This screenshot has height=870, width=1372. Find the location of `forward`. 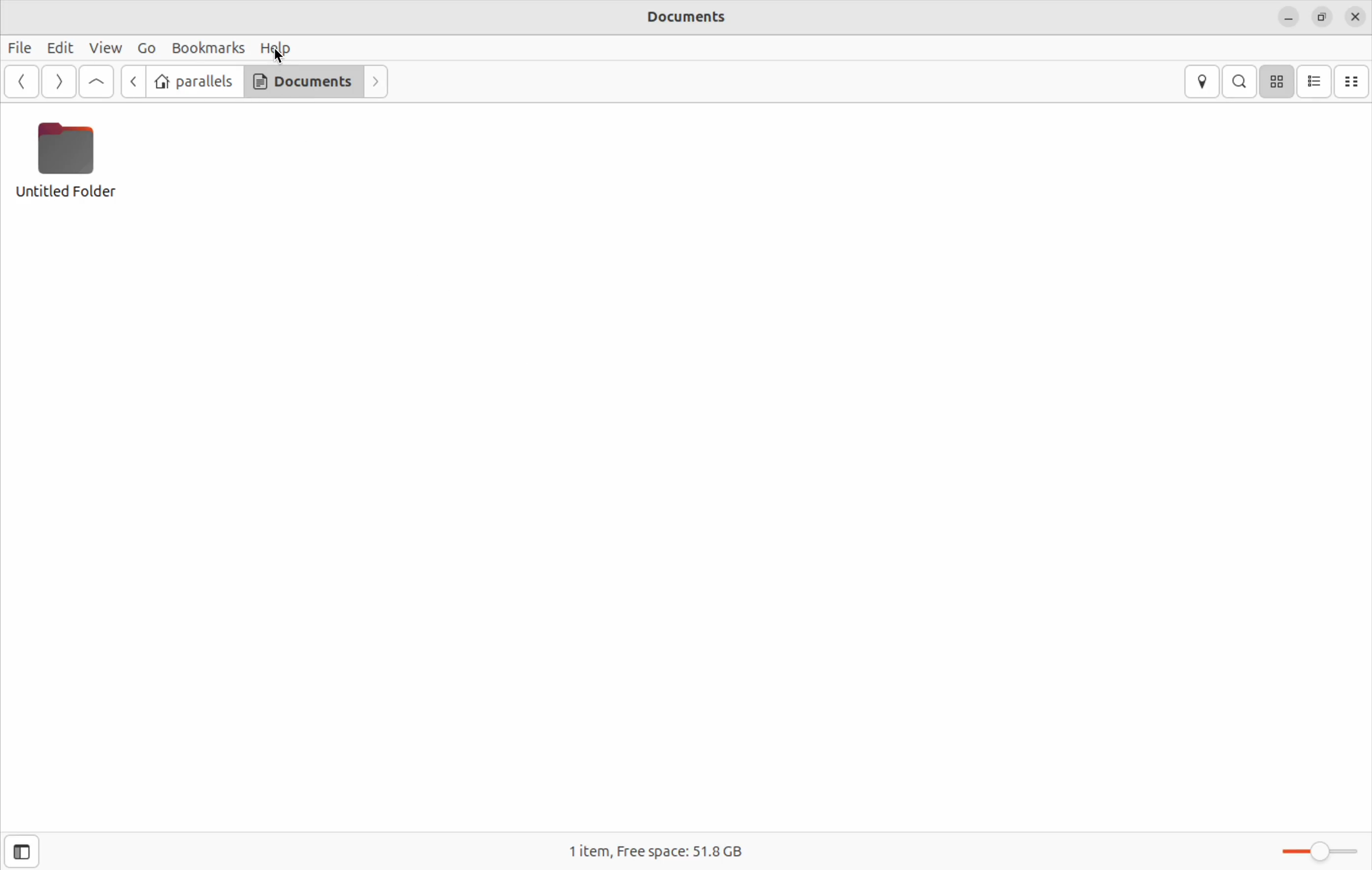

forward is located at coordinates (56, 81).